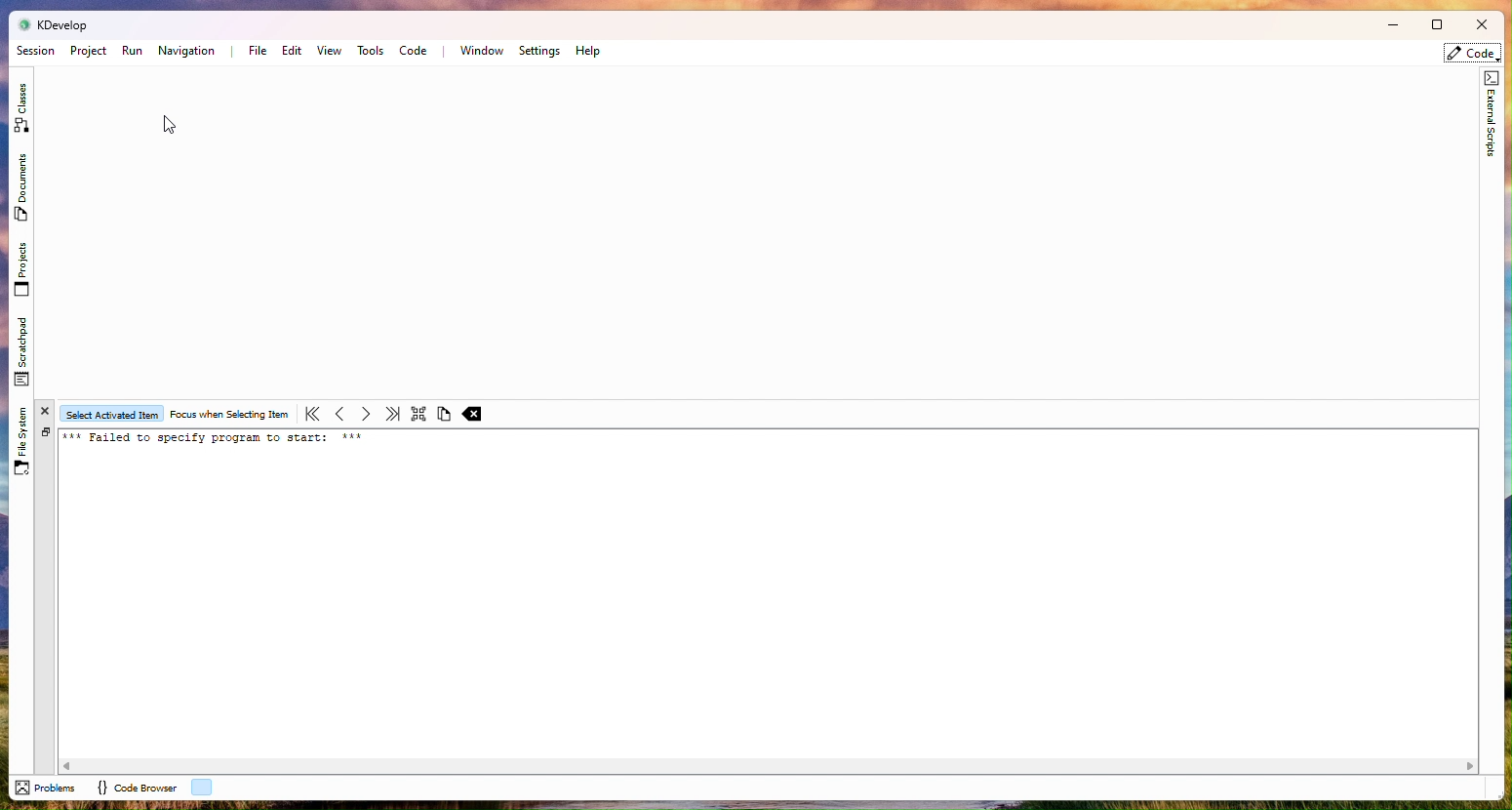  Describe the element at coordinates (391, 414) in the screenshot. I see `last item` at that location.